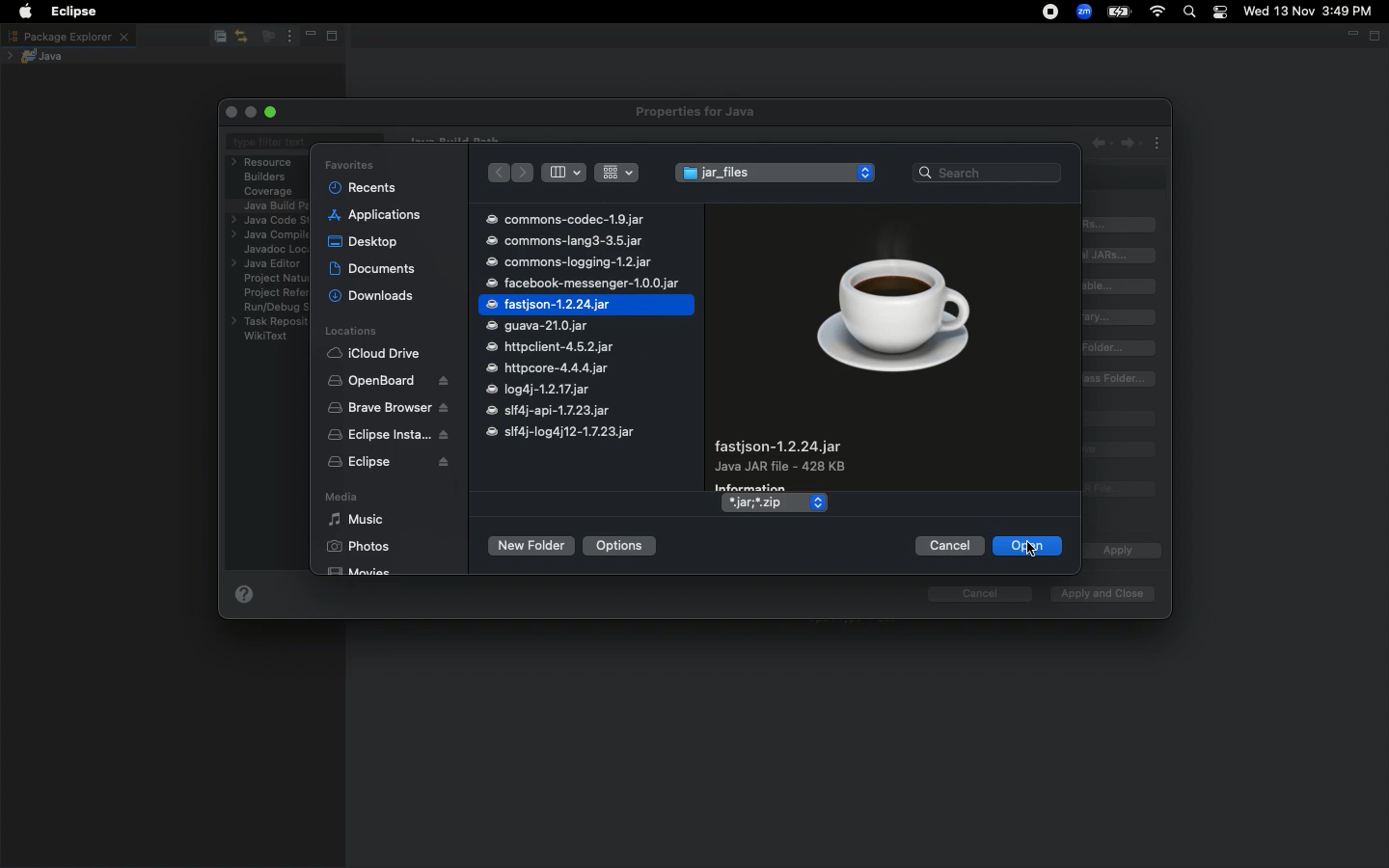 The image size is (1389, 868). What do you see at coordinates (267, 221) in the screenshot?
I see `Java code style` at bounding box center [267, 221].